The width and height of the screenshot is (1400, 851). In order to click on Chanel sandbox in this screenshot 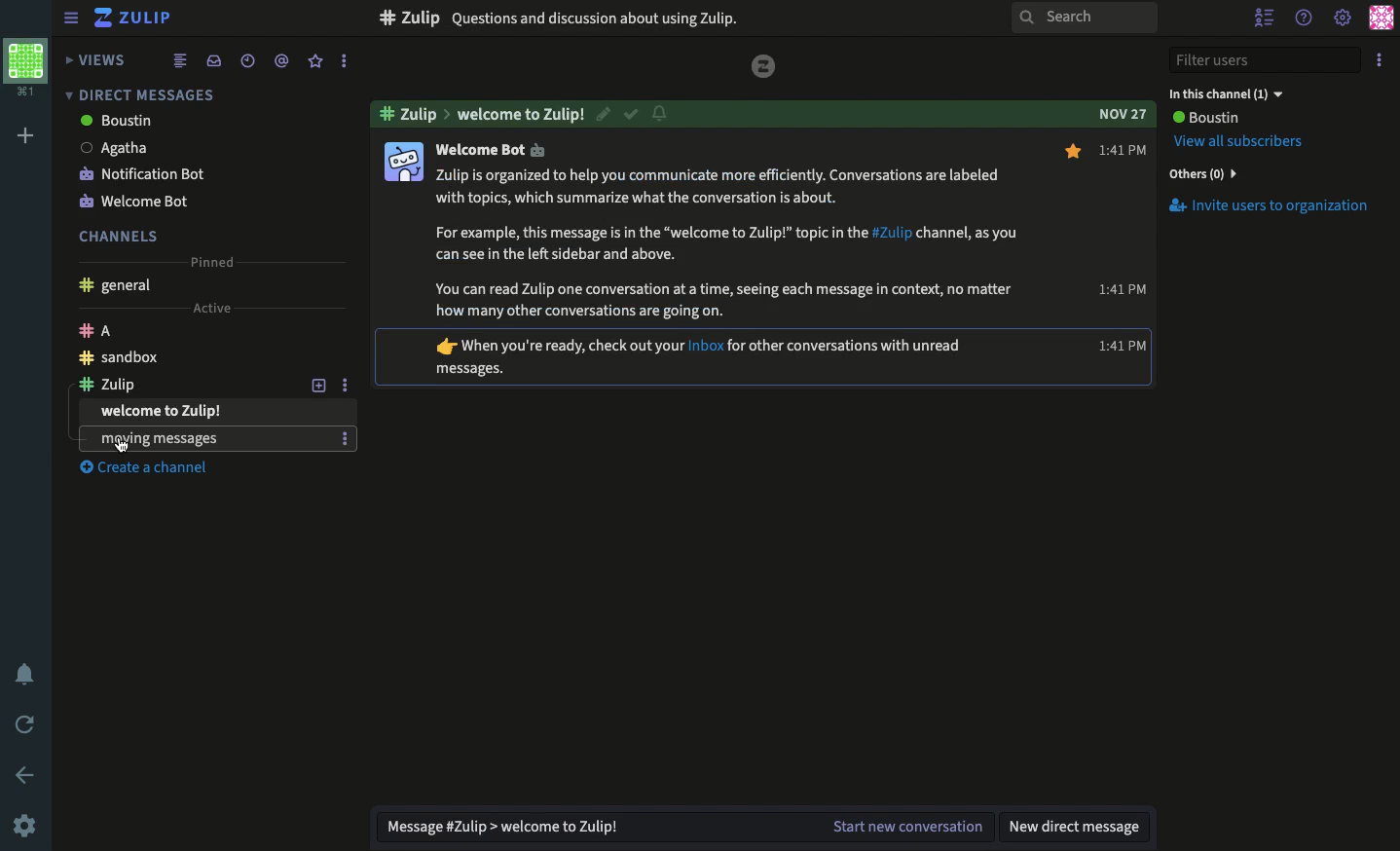, I will do `click(185, 357)`.